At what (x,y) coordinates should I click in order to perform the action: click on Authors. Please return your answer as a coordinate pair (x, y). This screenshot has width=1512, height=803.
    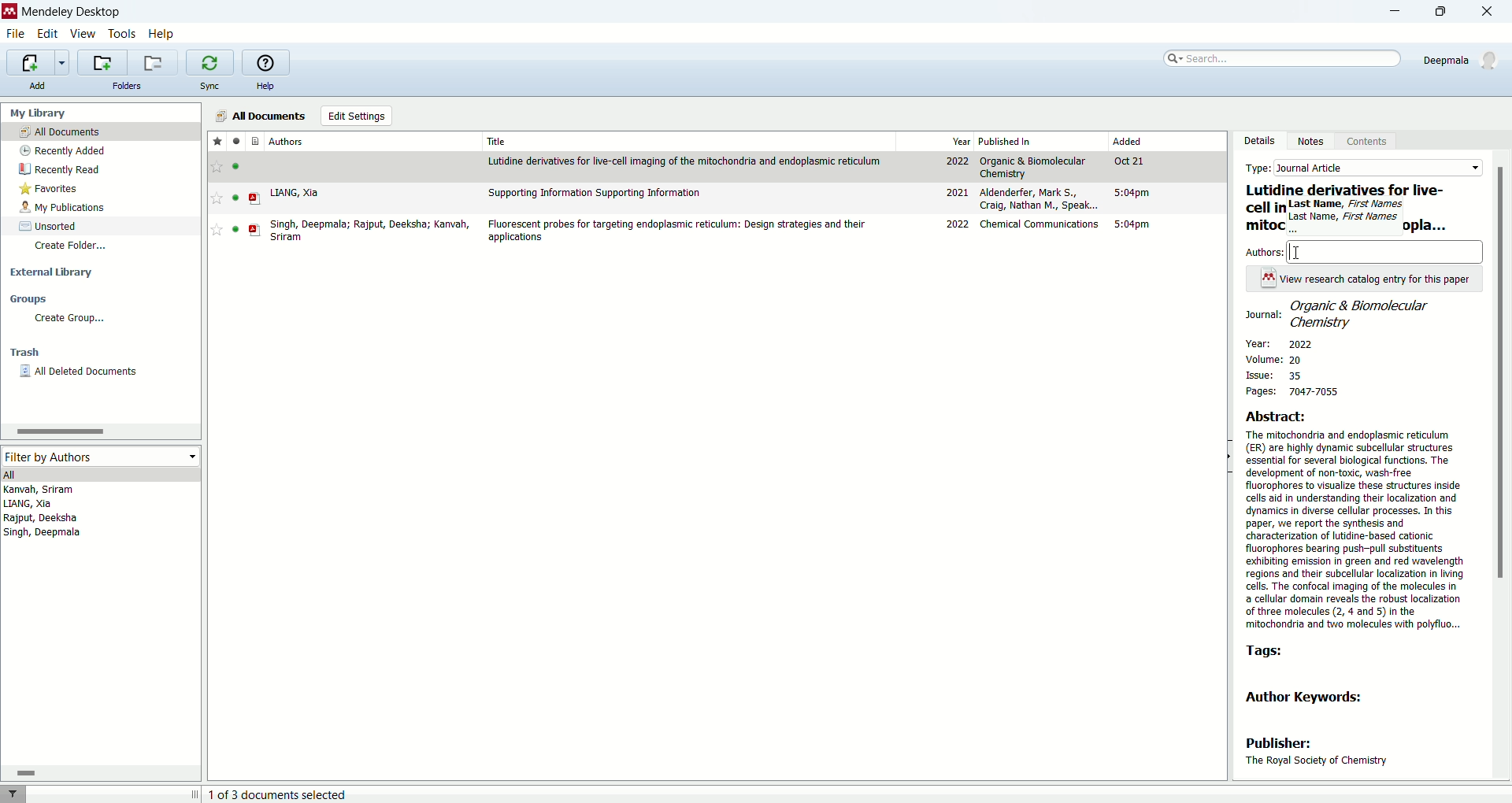
    Looking at the image, I should click on (1387, 251).